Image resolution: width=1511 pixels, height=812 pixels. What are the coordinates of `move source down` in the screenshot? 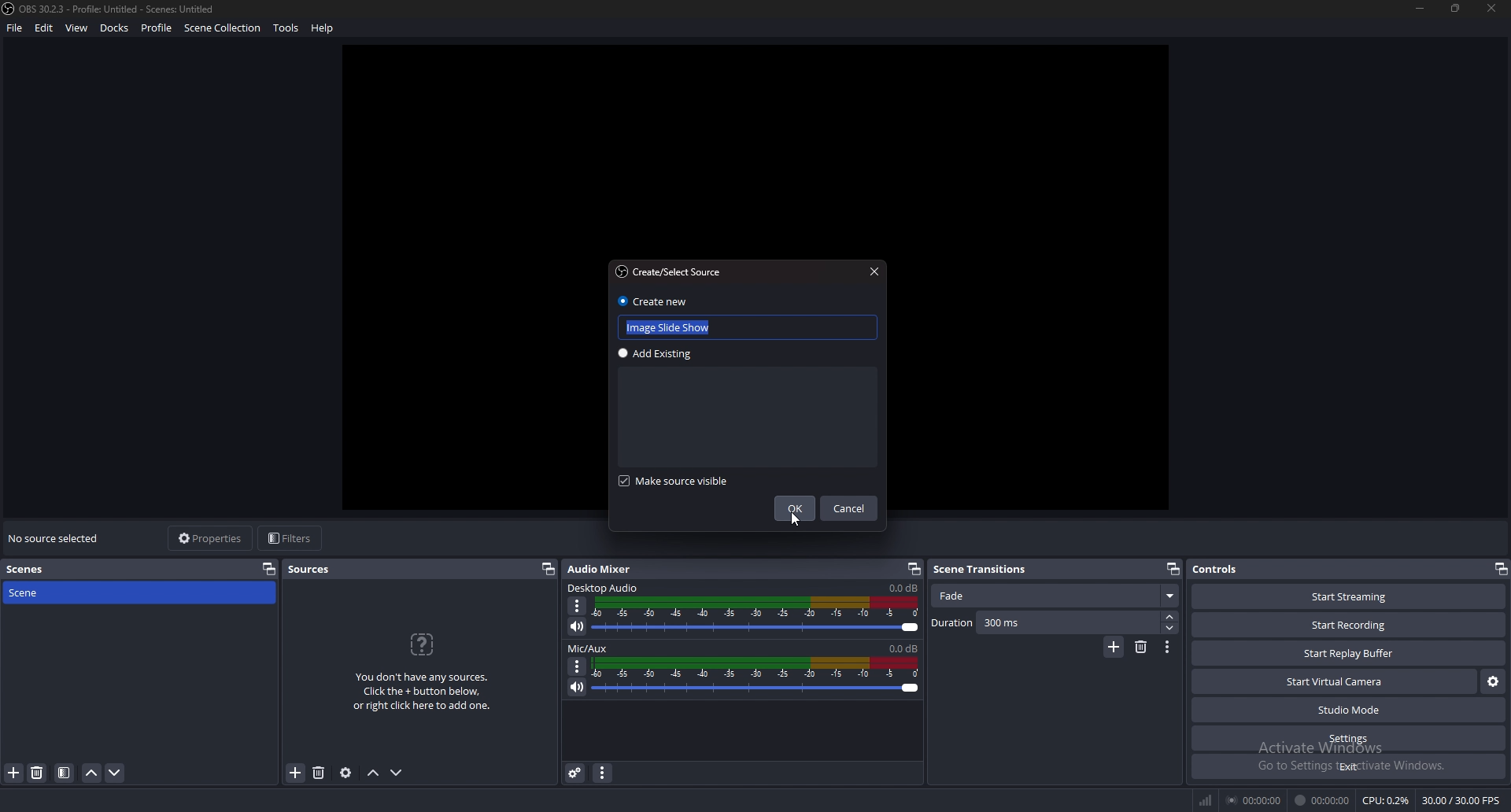 It's located at (397, 773).